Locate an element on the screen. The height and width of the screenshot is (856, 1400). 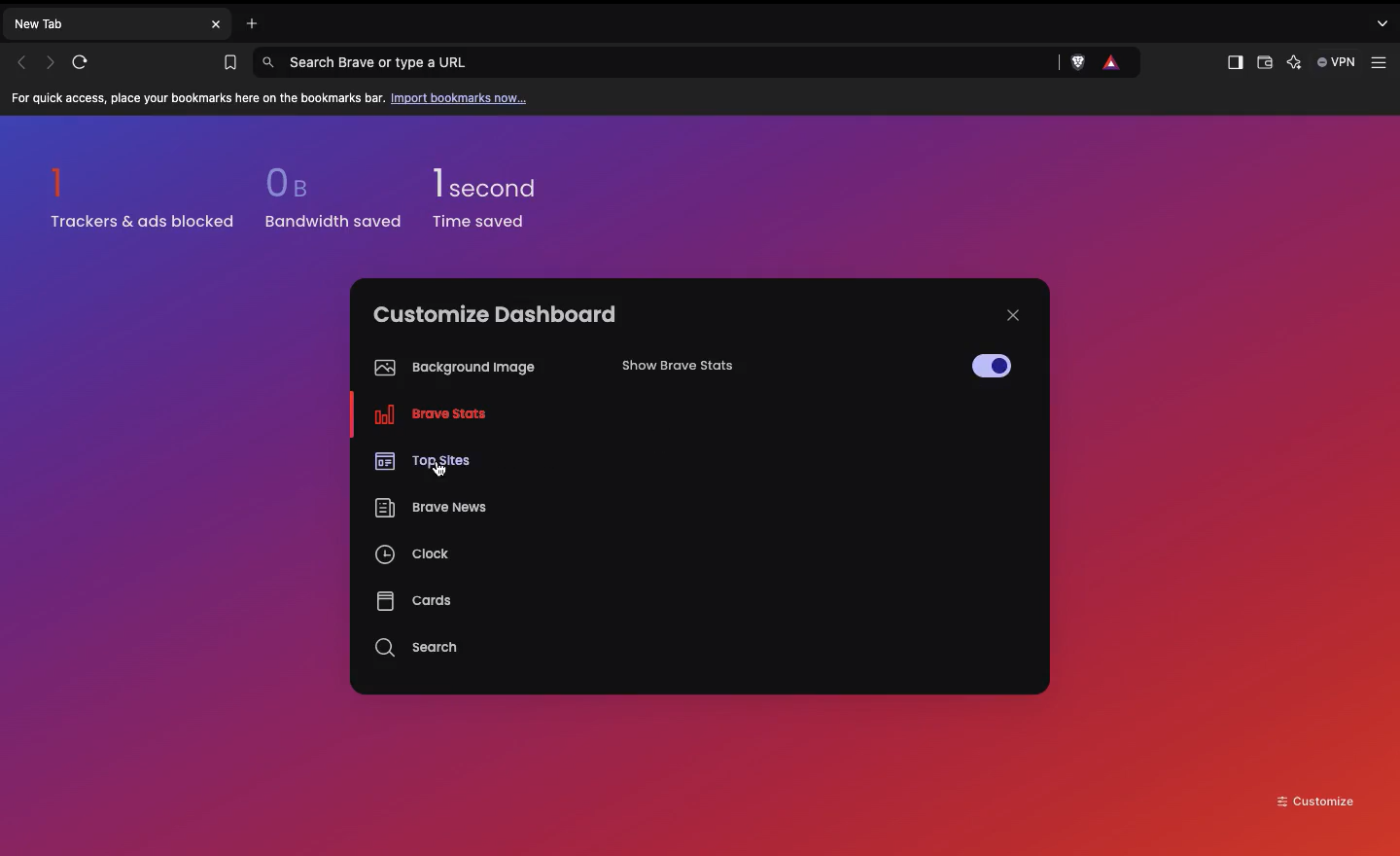
Import bookmarks now... is located at coordinates (463, 97).